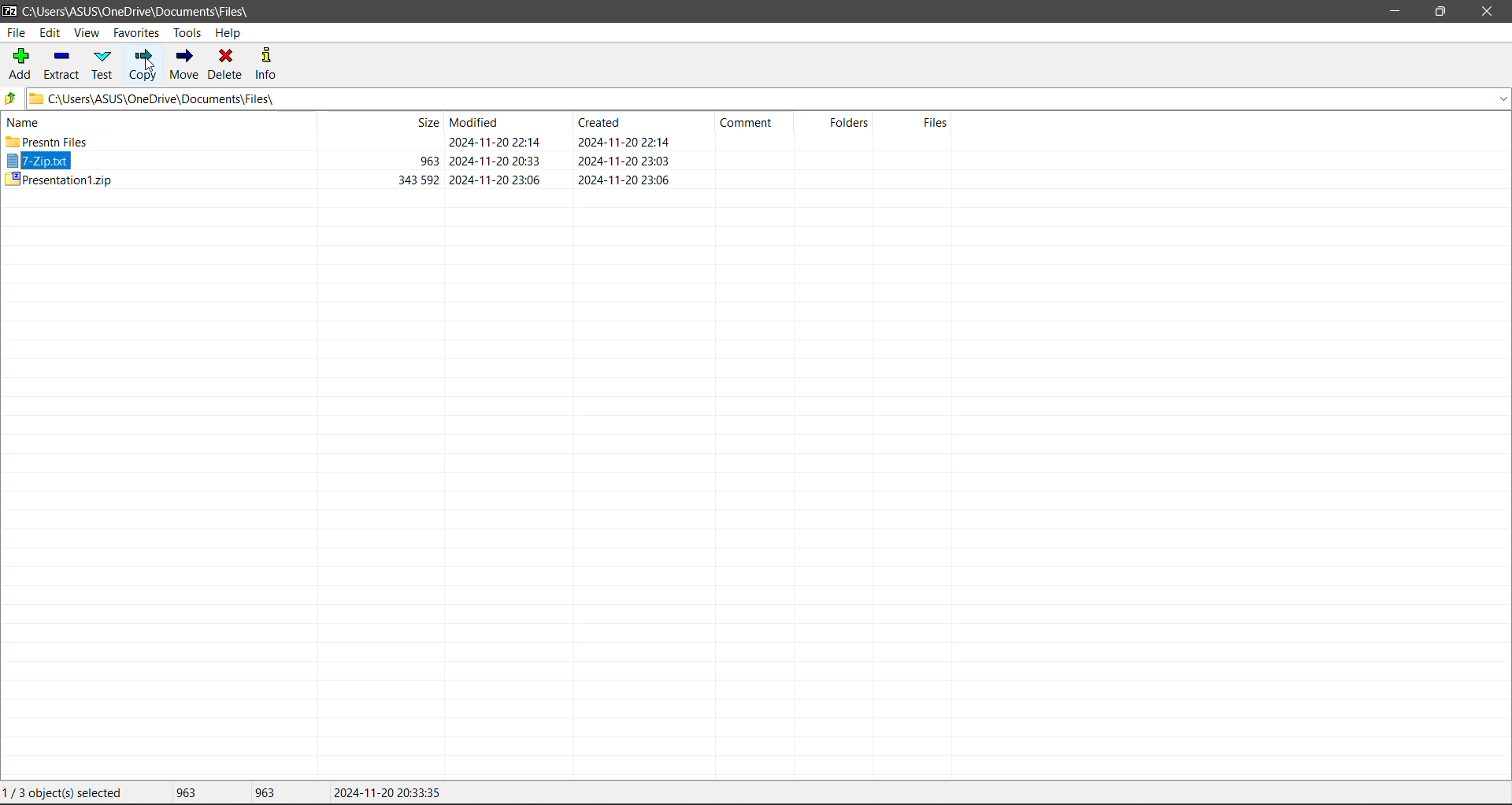 This screenshot has height=805, width=1512. What do you see at coordinates (185, 65) in the screenshot?
I see `Move` at bounding box center [185, 65].